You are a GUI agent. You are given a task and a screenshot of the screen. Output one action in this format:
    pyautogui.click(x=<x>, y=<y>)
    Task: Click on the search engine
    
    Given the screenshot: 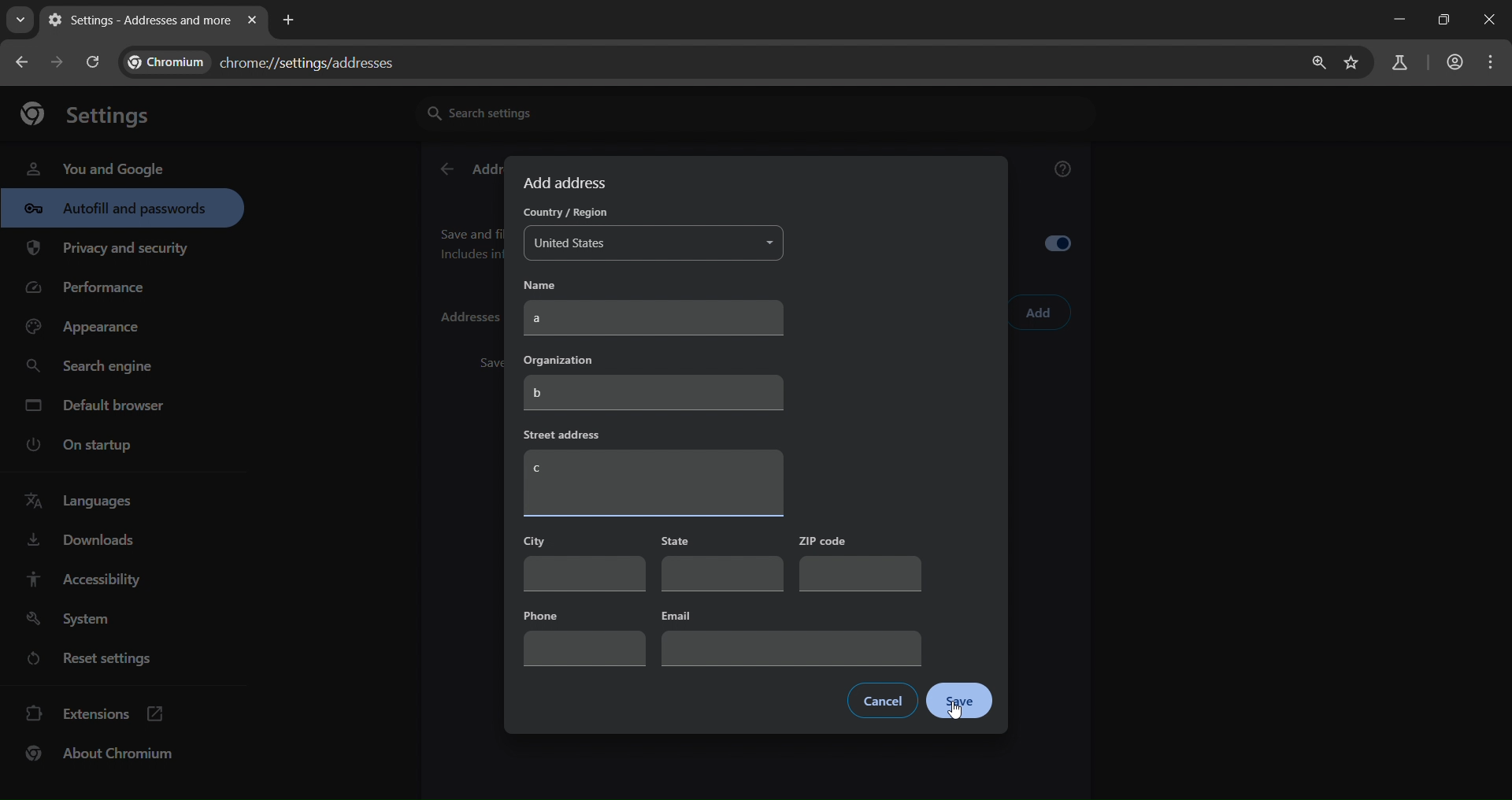 What is the action you would take?
    pyautogui.click(x=94, y=367)
    